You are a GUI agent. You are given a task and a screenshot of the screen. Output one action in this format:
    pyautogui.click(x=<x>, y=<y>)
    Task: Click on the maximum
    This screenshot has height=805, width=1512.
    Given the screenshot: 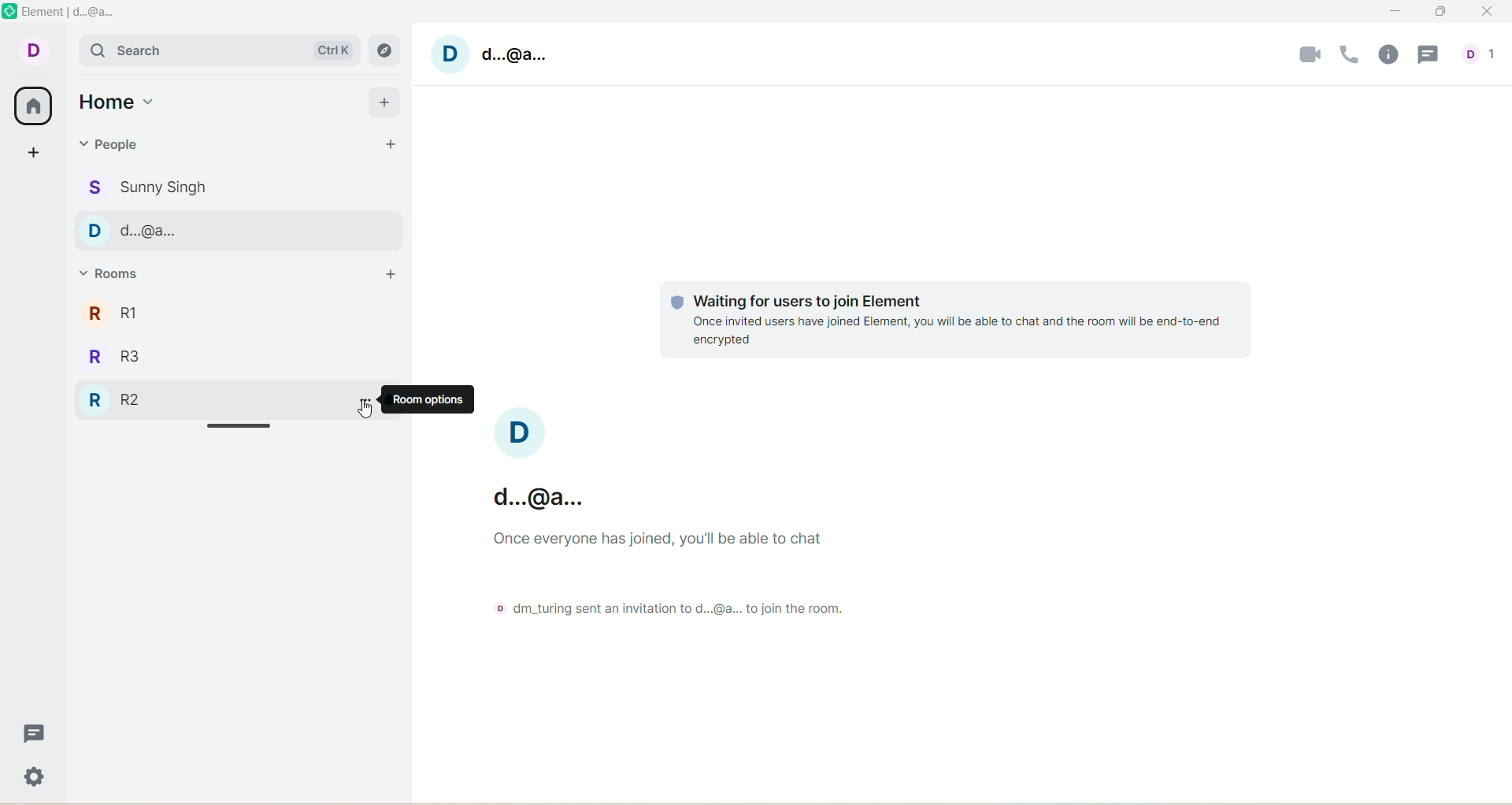 What is the action you would take?
    pyautogui.click(x=1440, y=12)
    